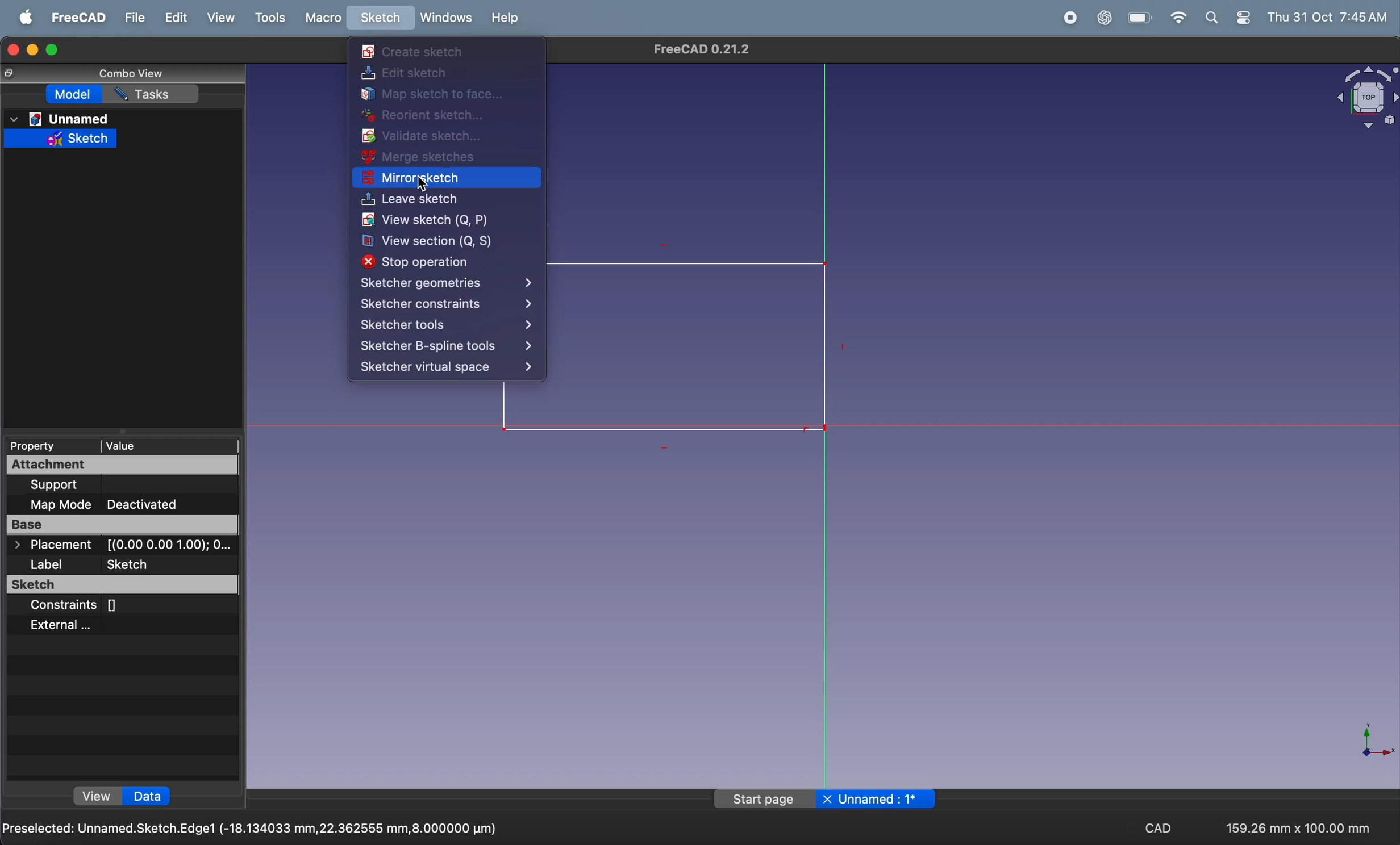 Image resolution: width=1400 pixels, height=845 pixels. What do you see at coordinates (438, 93) in the screenshot?
I see `amp sketch to face` at bounding box center [438, 93].